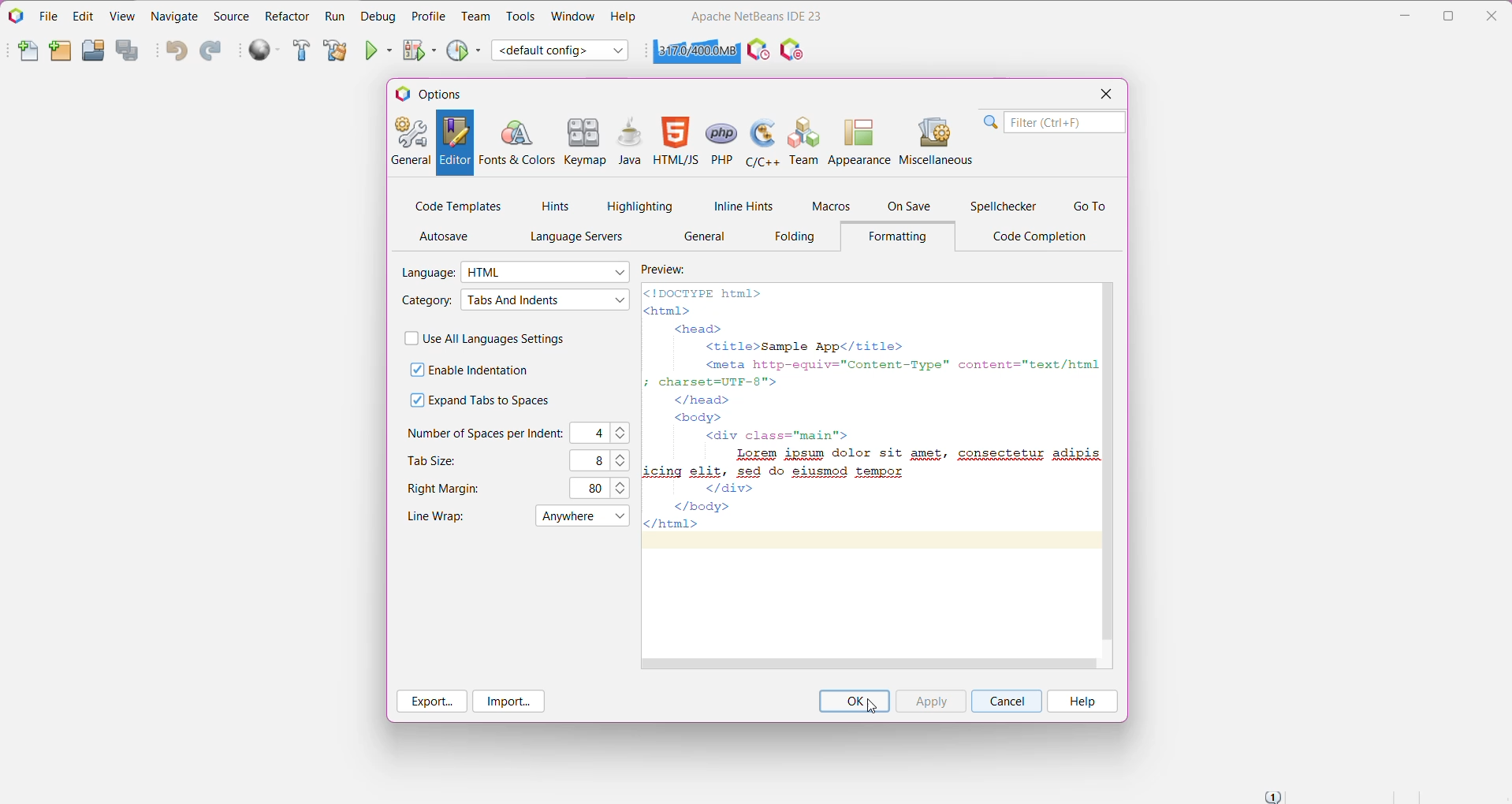 Image resolution: width=1512 pixels, height=804 pixels. I want to click on Number of Spaces per Indent, so click(485, 433).